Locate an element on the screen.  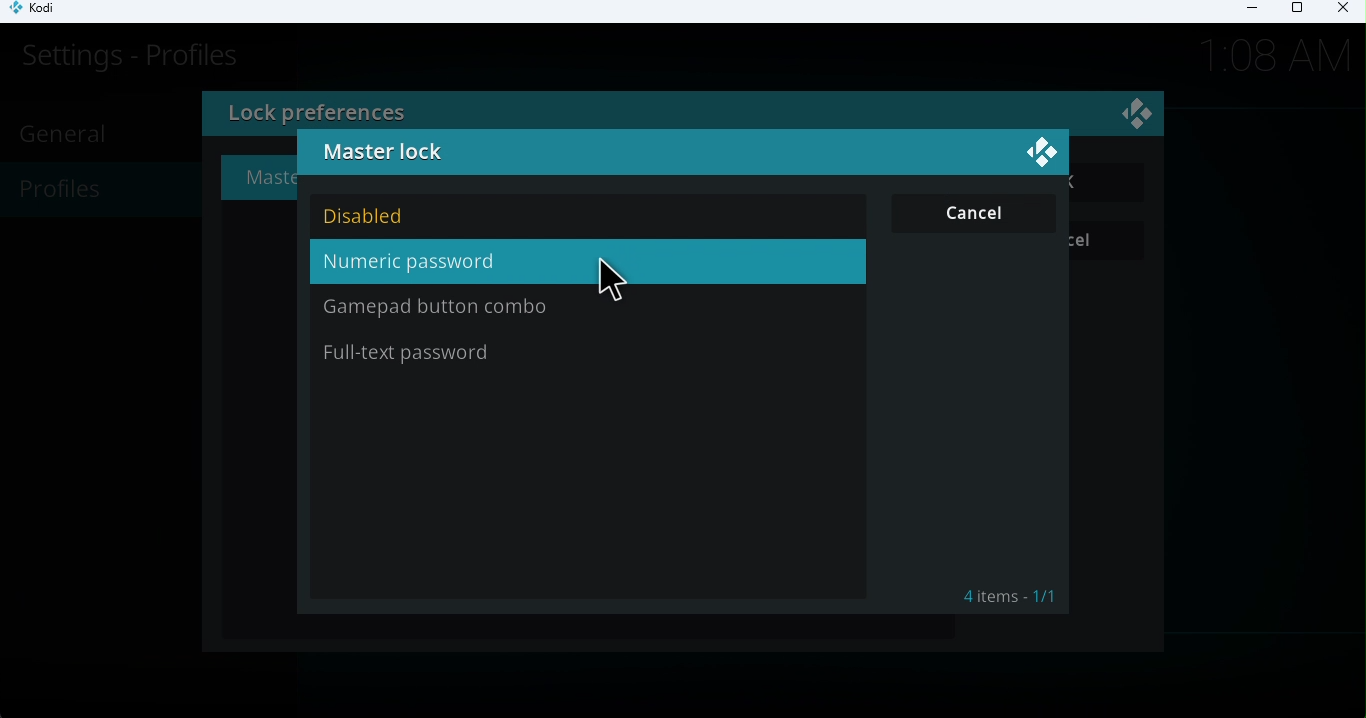
 is located at coordinates (1136, 112).